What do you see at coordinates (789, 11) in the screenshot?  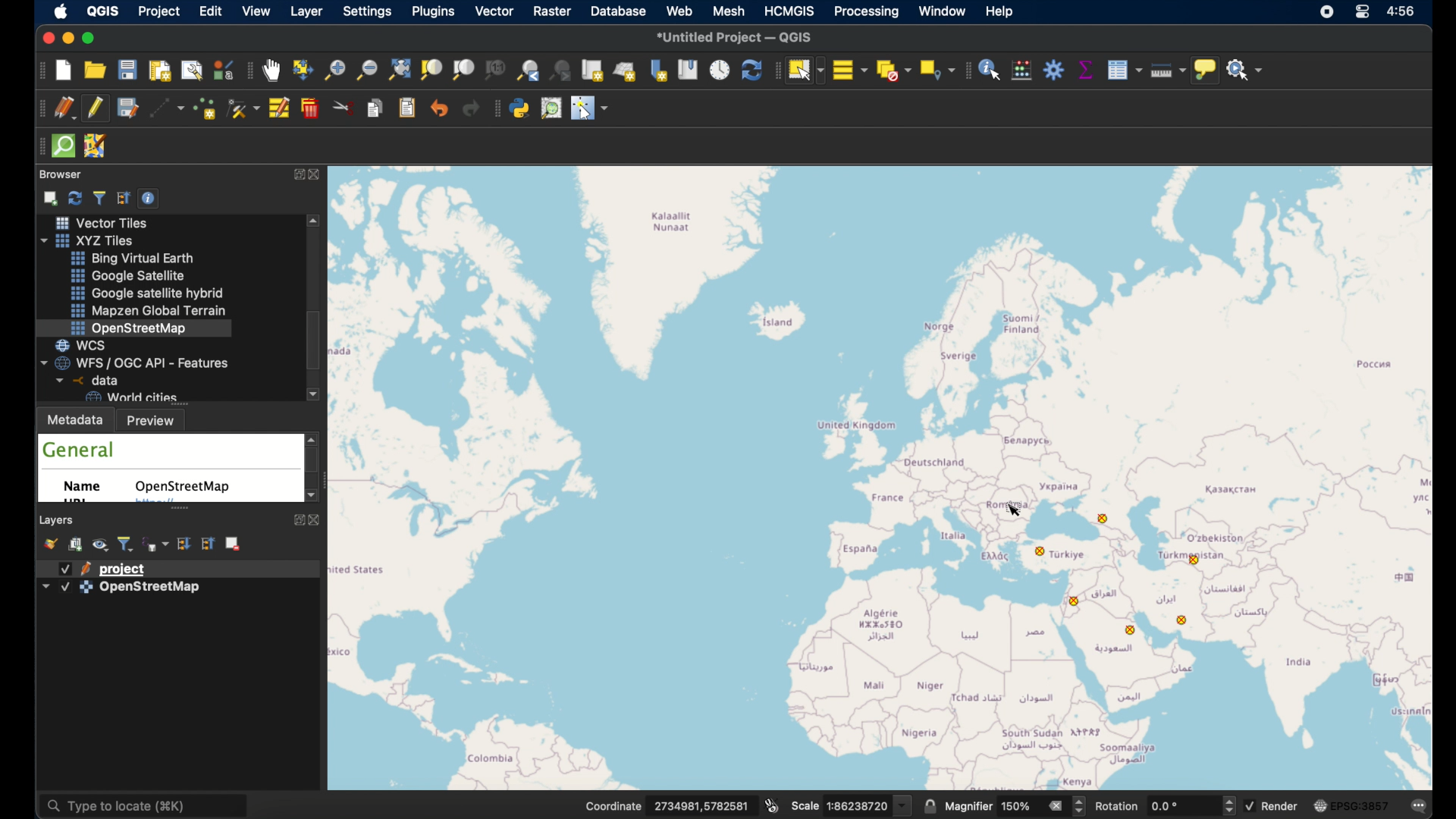 I see `HCMGIS` at bounding box center [789, 11].